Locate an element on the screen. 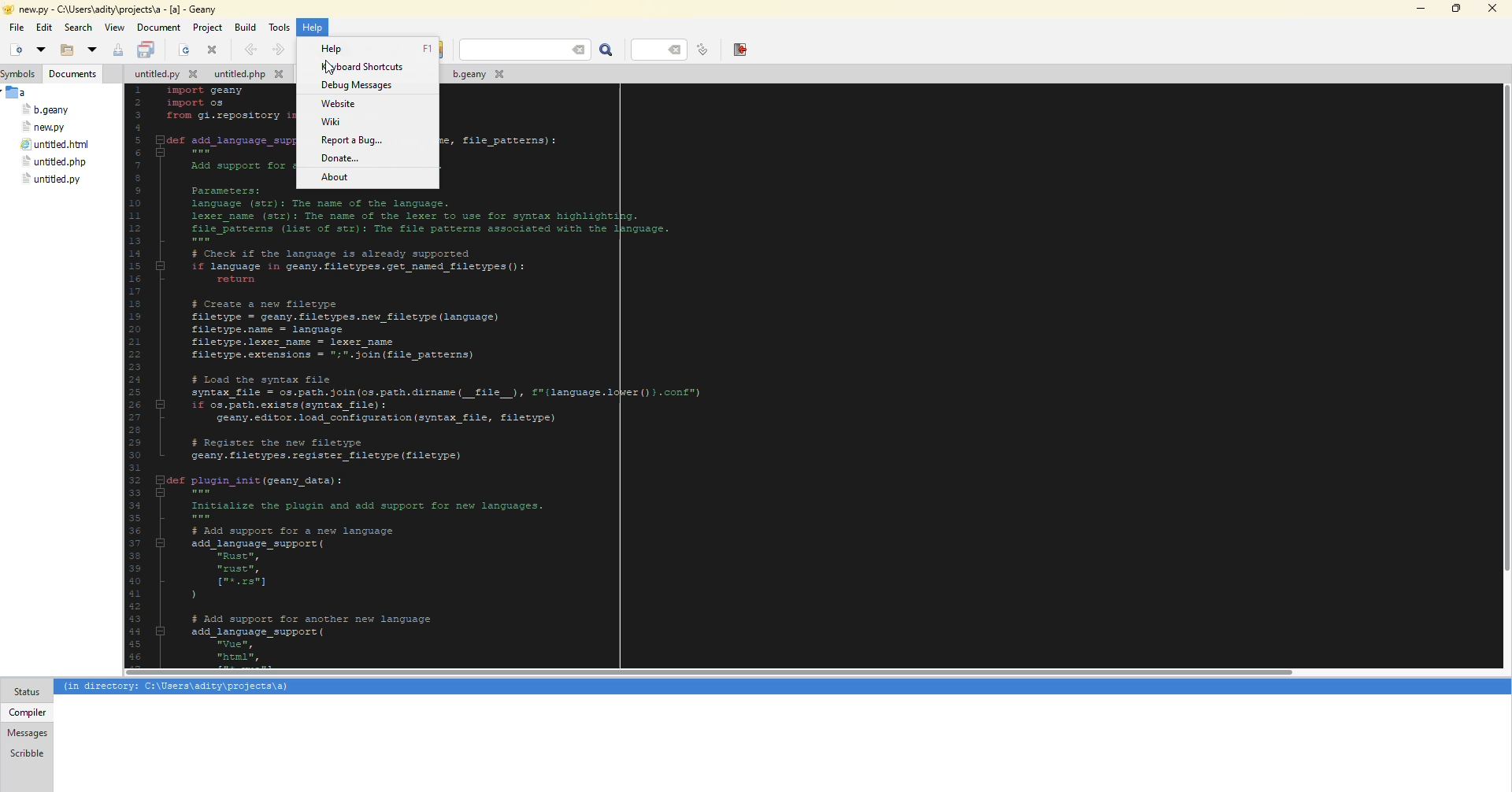 The image size is (1512, 792). minimize is located at coordinates (1418, 9).